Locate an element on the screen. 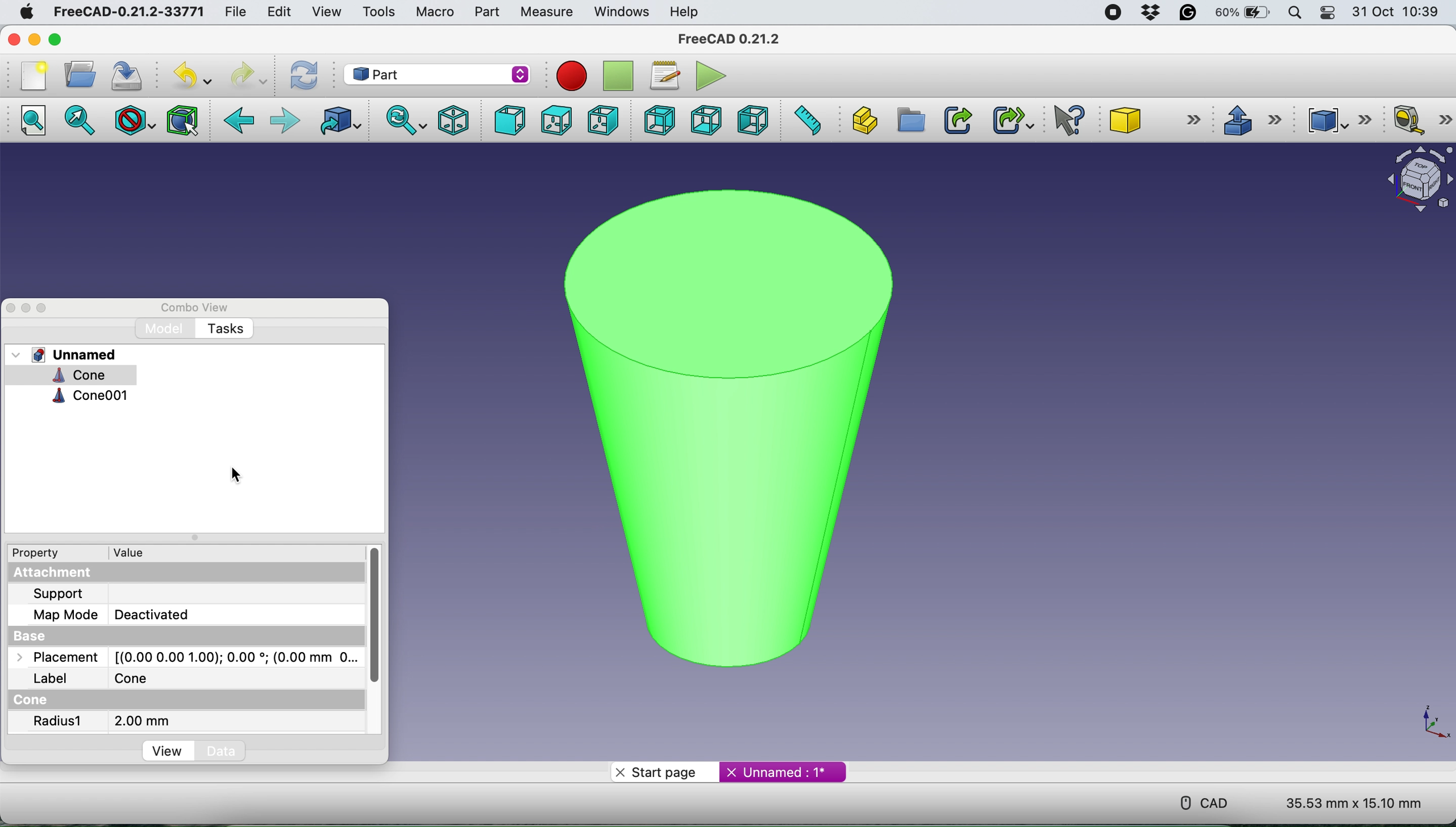 This screenshot has height=827, width=1456. 60% is located at coordinates (1242, 14).